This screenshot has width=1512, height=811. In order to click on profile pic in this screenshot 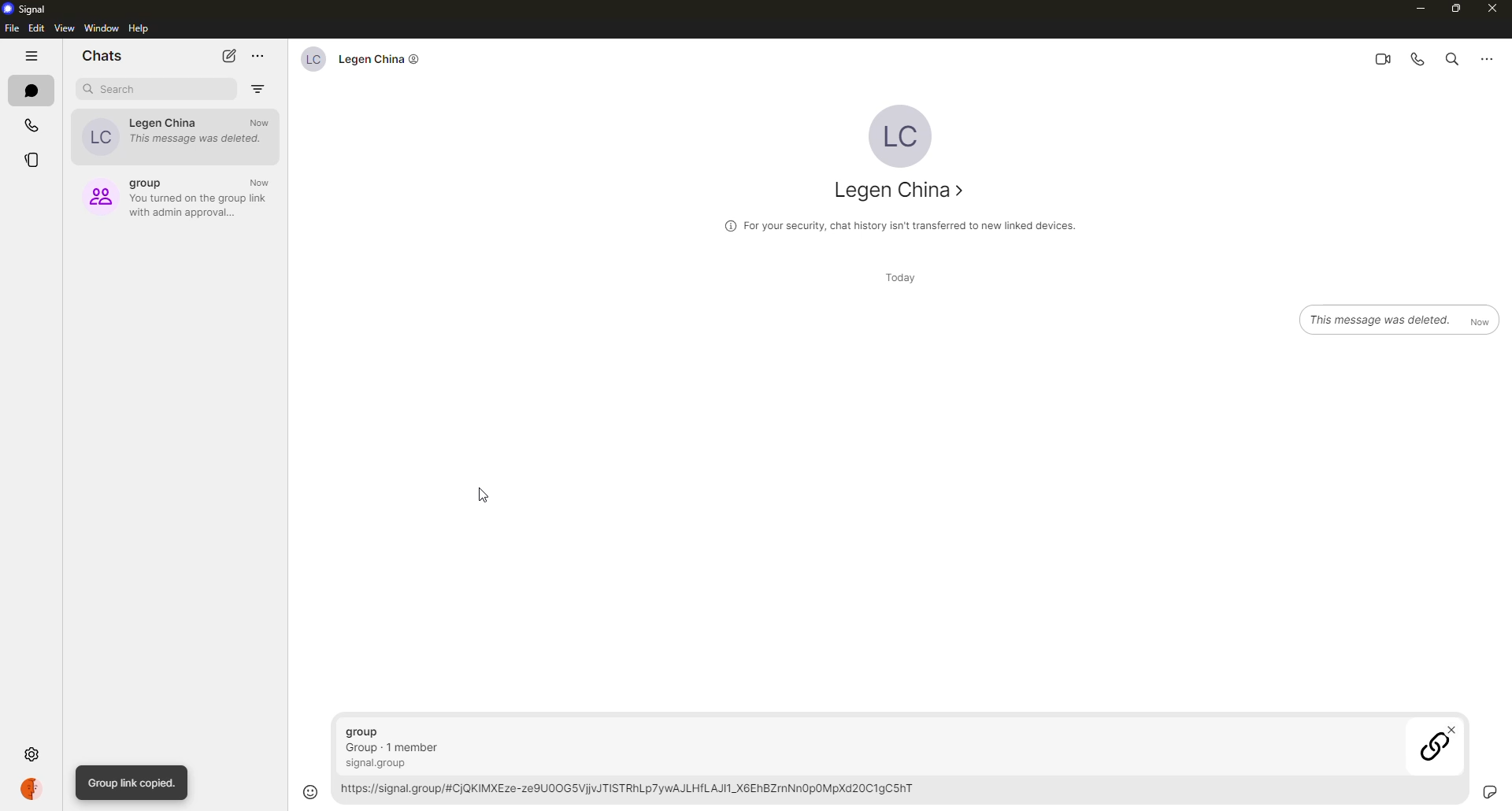, I will do `click(900, 133)`.